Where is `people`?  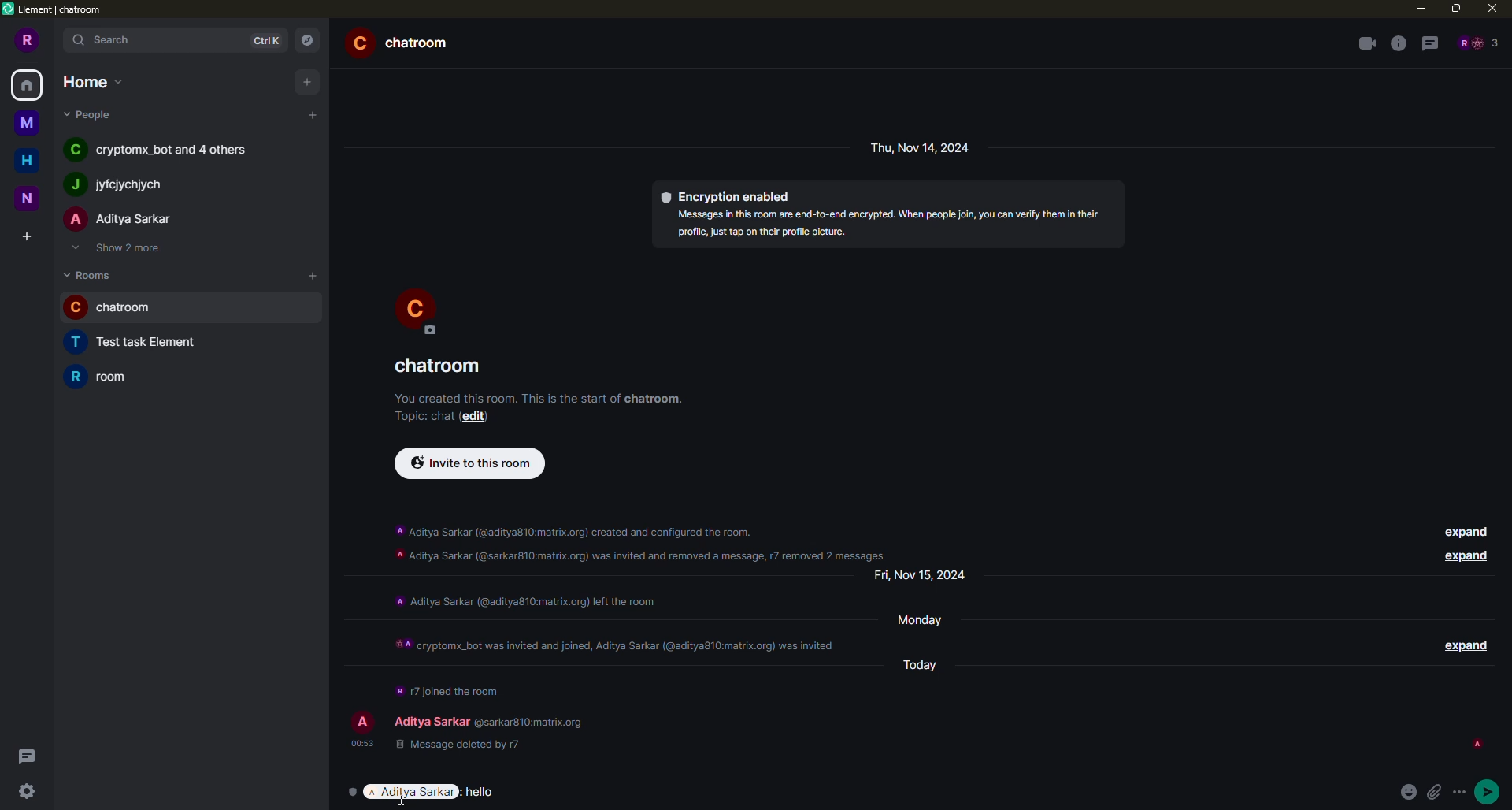 people is located at coordinates (116, 185).